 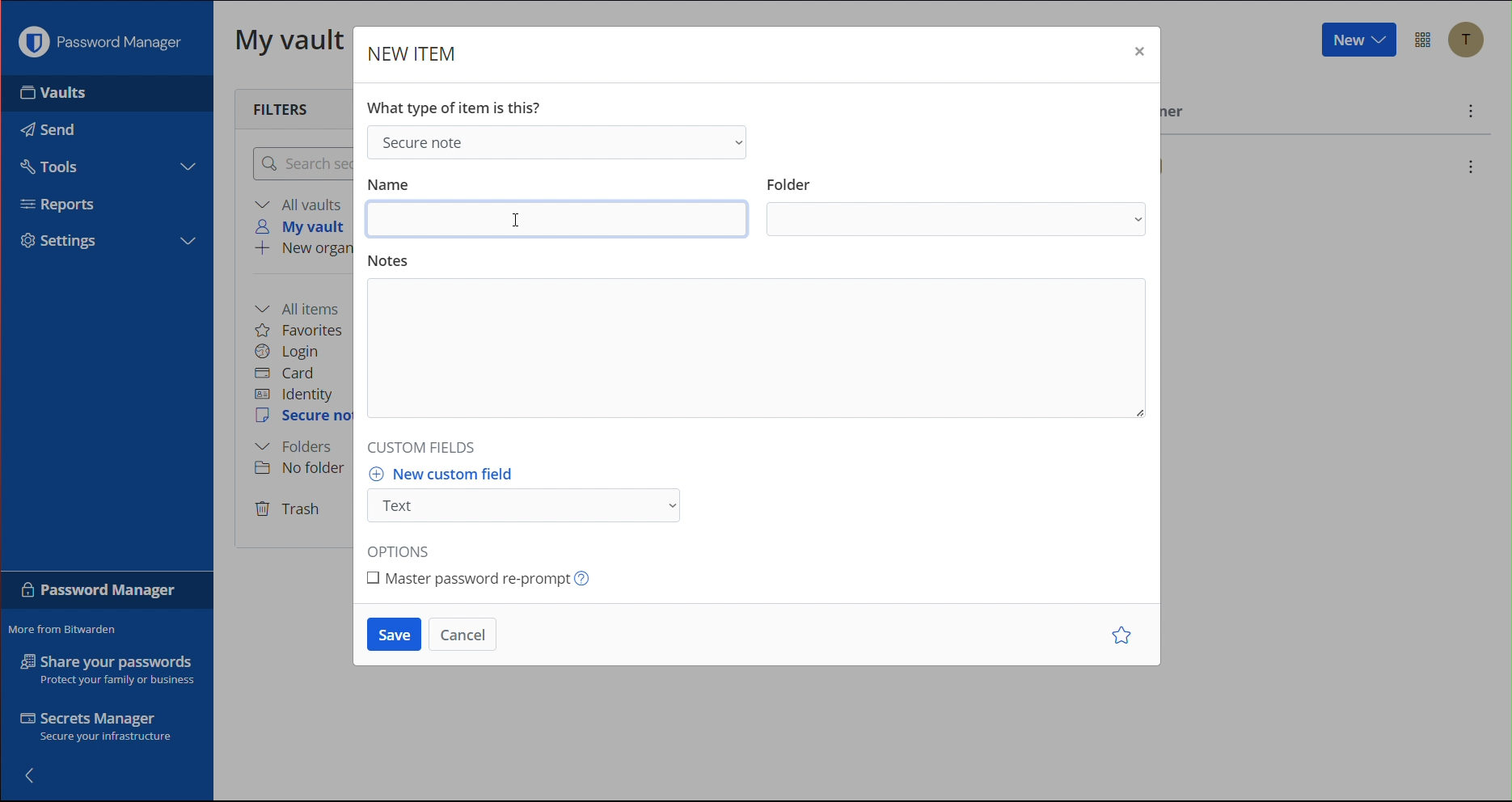 What do you see at coordinates (390, 182) in the screenshot?
I see `Name` at bounding box center [390, 182].